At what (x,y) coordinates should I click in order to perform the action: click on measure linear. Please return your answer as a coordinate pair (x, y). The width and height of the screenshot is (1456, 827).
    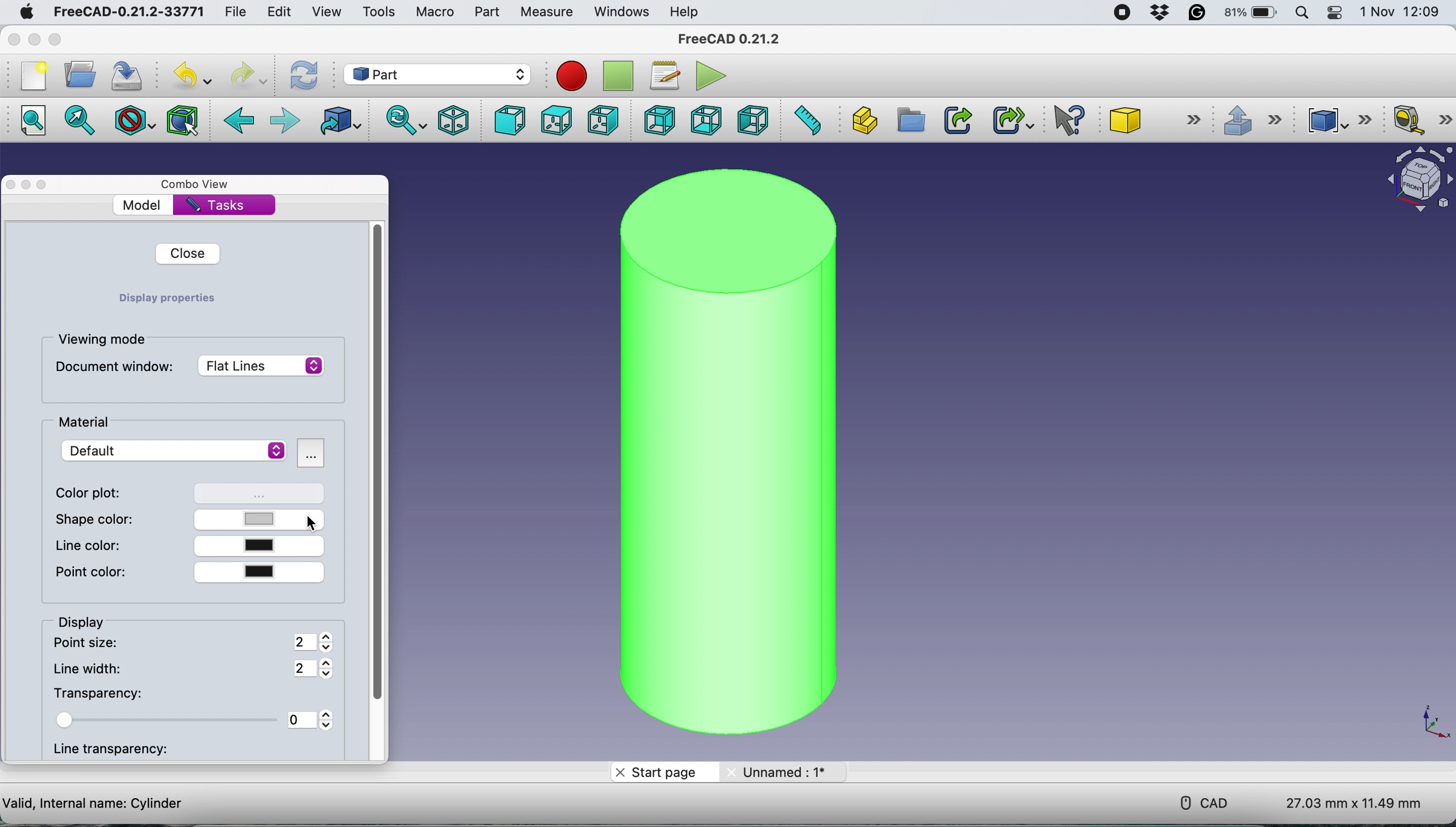
    Looking at the image, I should click on (1420, 121).